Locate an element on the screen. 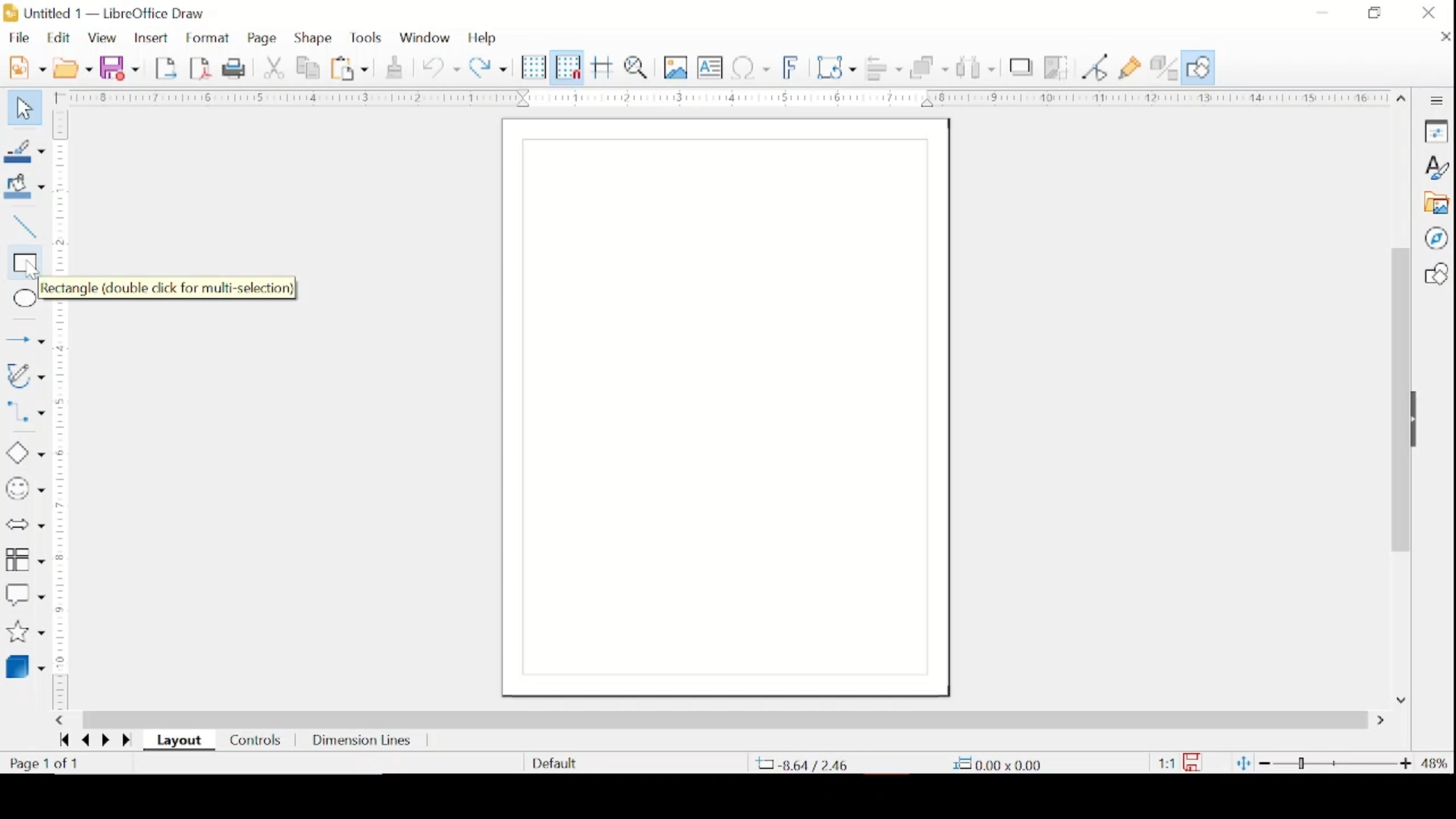 This screenshot has height=819, width=1456. zoom slider is located at coordinates (1337, 763).